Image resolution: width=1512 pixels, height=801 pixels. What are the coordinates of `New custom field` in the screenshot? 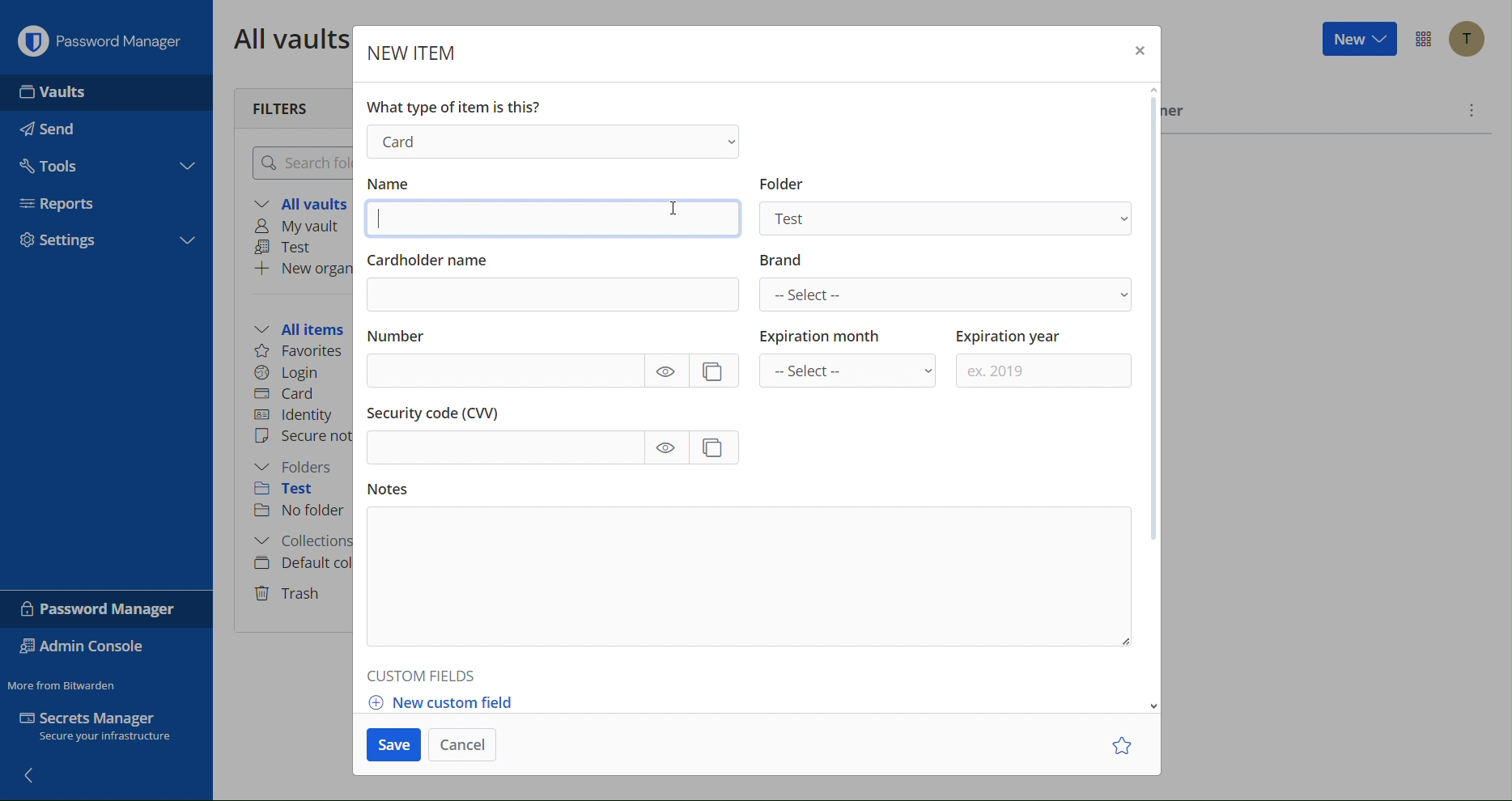 It's located at (454, 703).